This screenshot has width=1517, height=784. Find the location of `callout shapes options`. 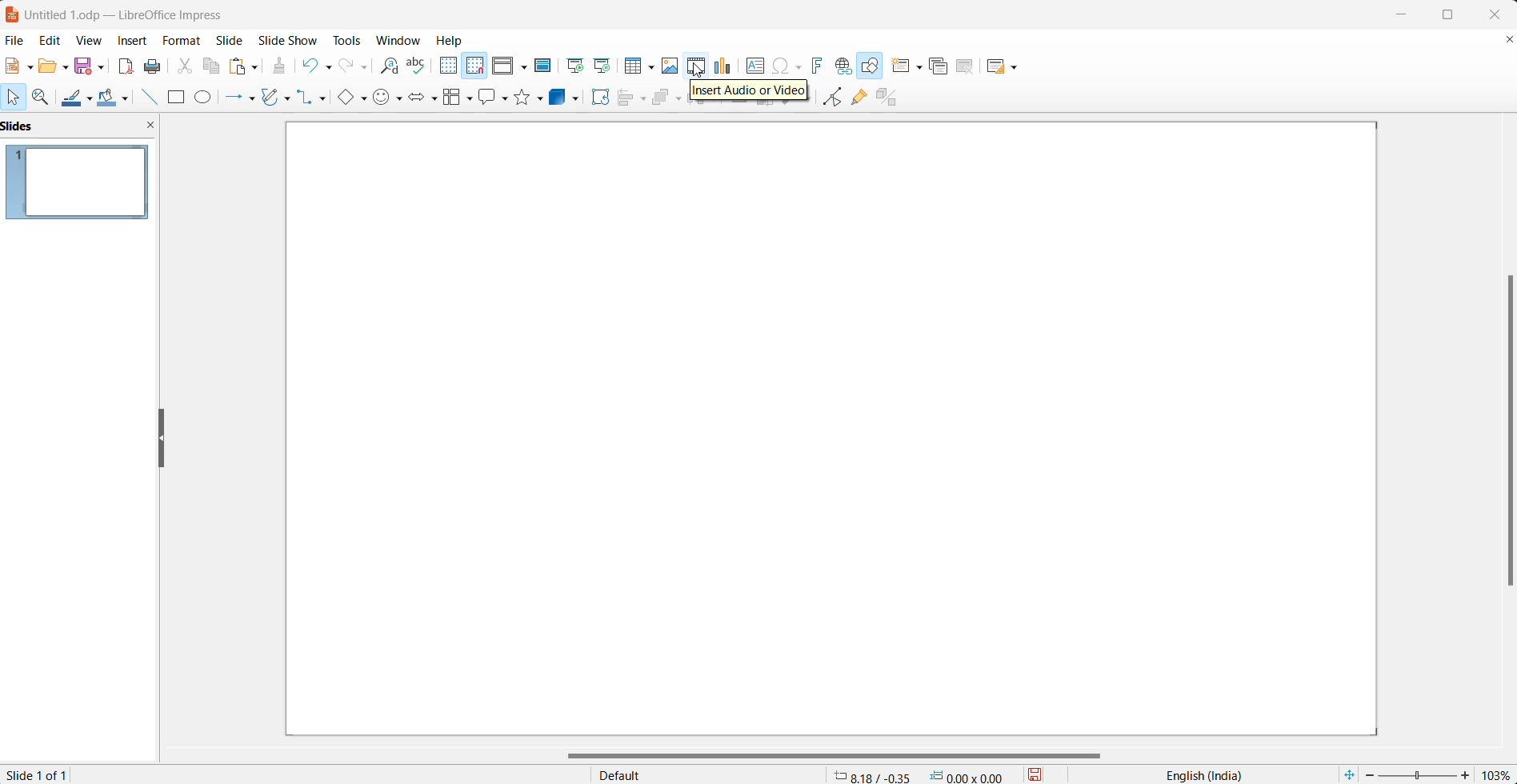

callout shapes options is located at coordinates (504, 97).